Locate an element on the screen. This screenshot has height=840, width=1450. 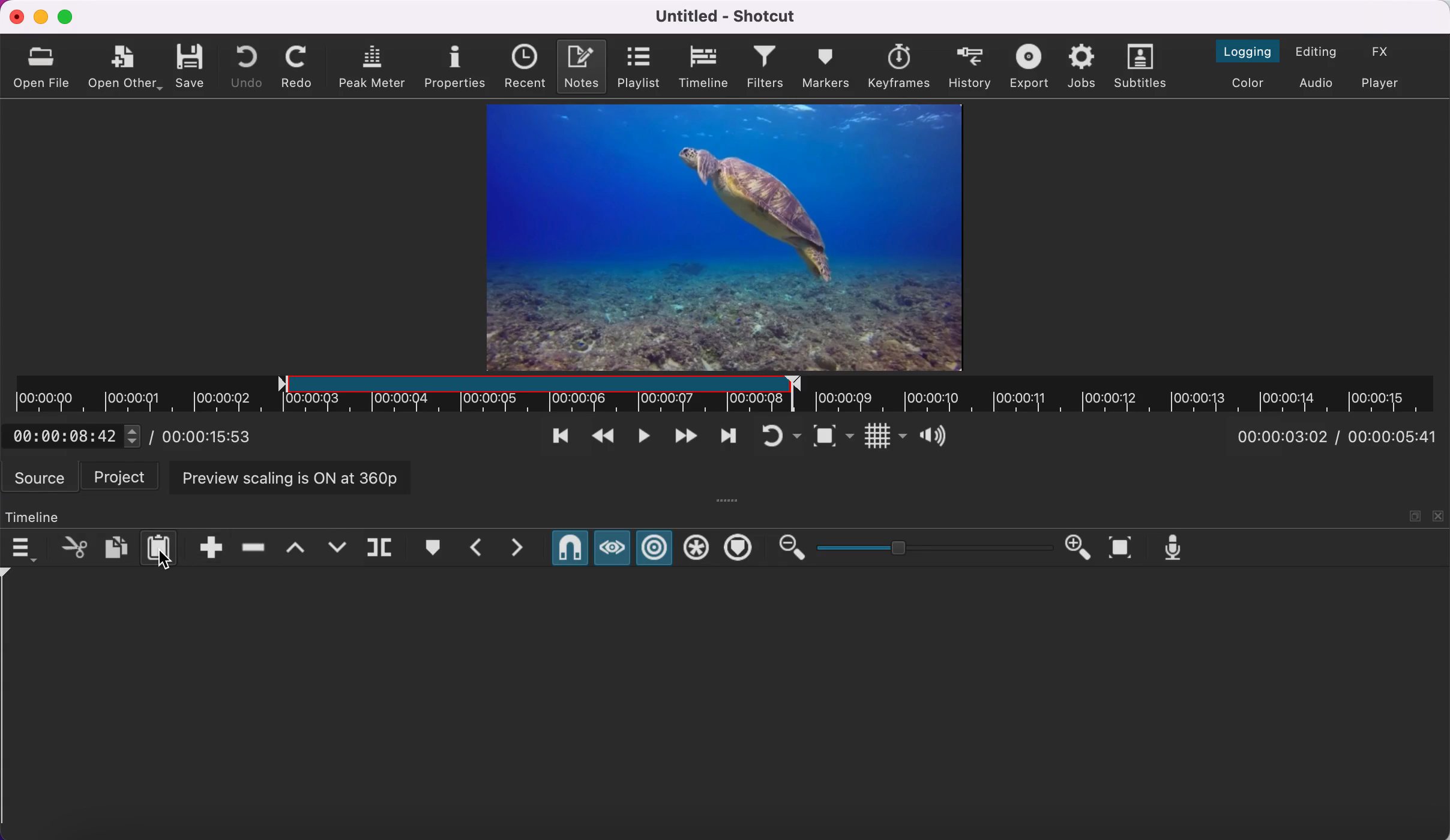
open file is located at coordinates (44, 64).